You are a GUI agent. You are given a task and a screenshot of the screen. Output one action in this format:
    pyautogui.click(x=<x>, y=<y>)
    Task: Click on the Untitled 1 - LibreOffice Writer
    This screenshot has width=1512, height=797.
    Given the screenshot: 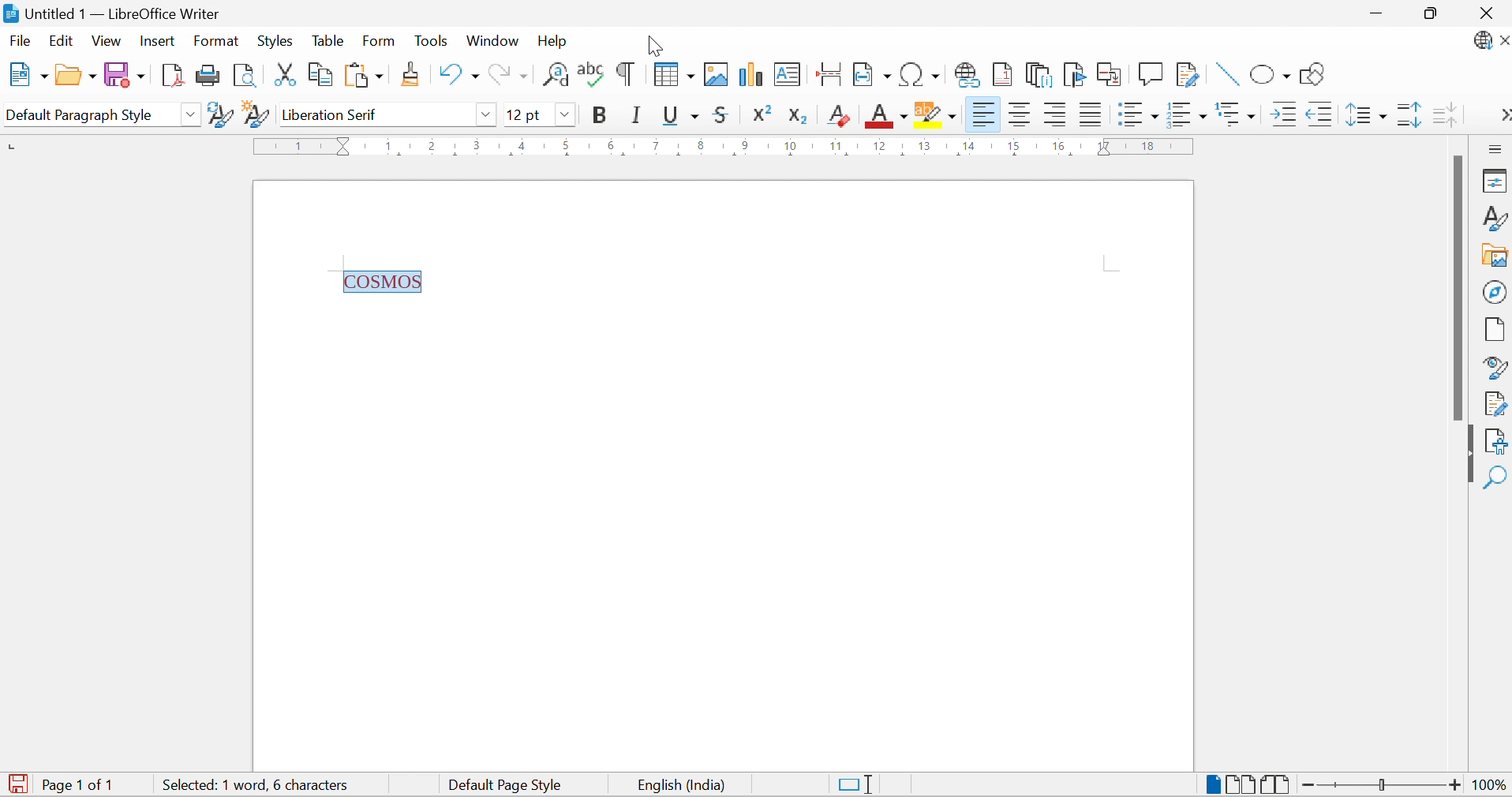 What is the action you would take?
    pyautogui.click(x=114, y=13)
    